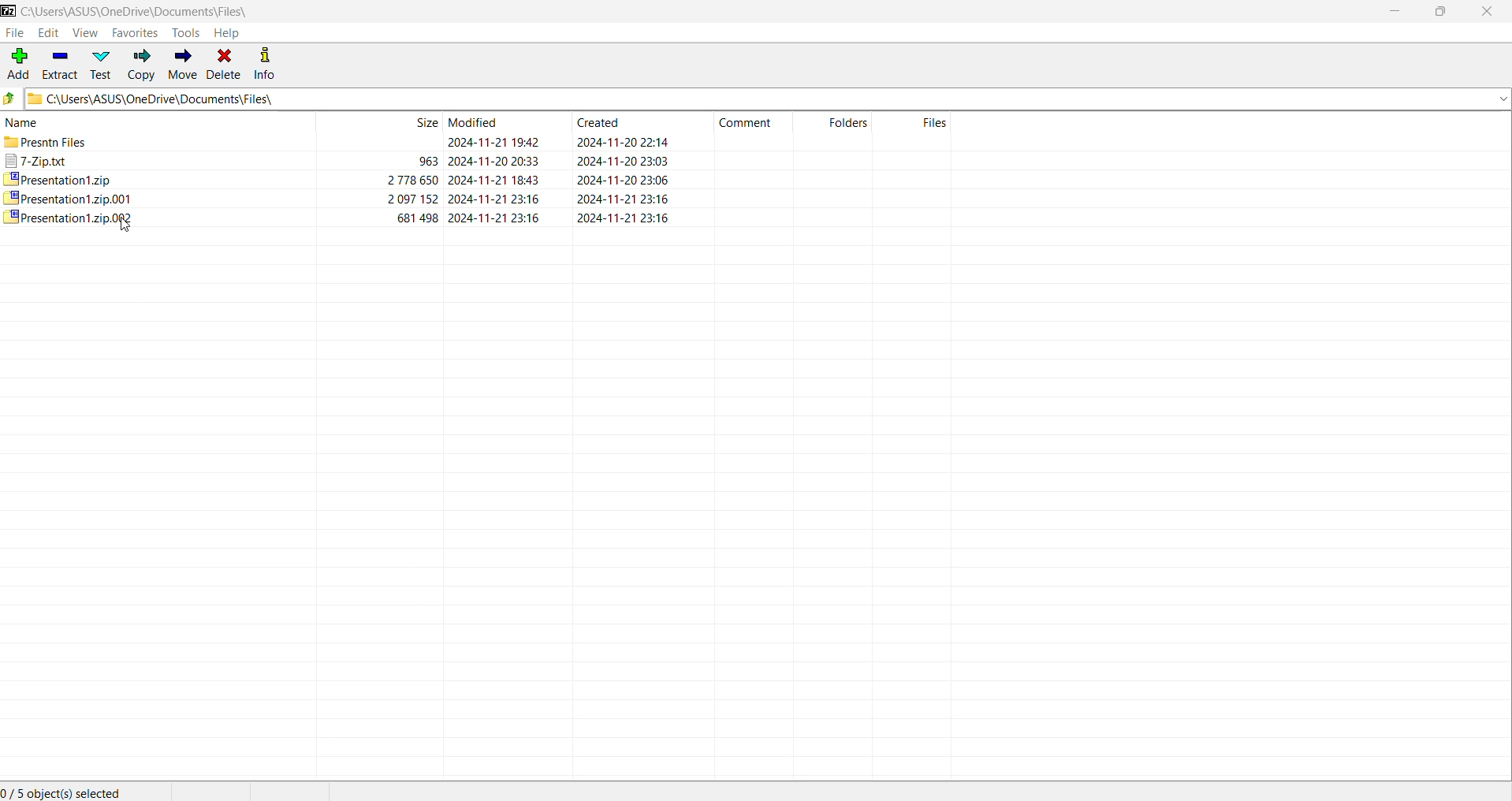  Describe the element at coordinates (142, 65) in the screenshot. I see `Copy` at that location.